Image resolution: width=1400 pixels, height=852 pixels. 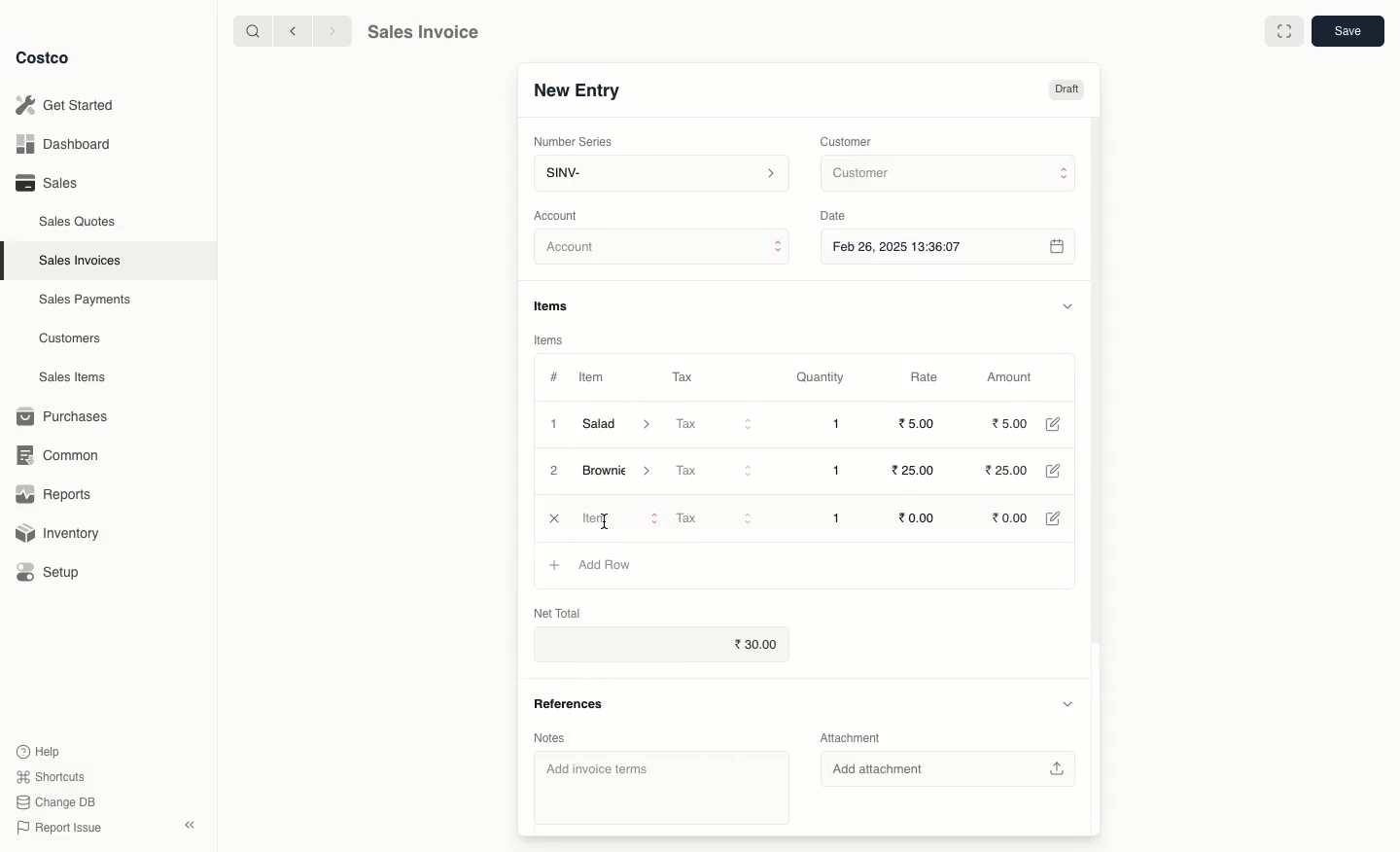 What do you see at coordinates (80, 221) in the screenshot?
I see `Sales Quotes` at bounding box center [80, 221].